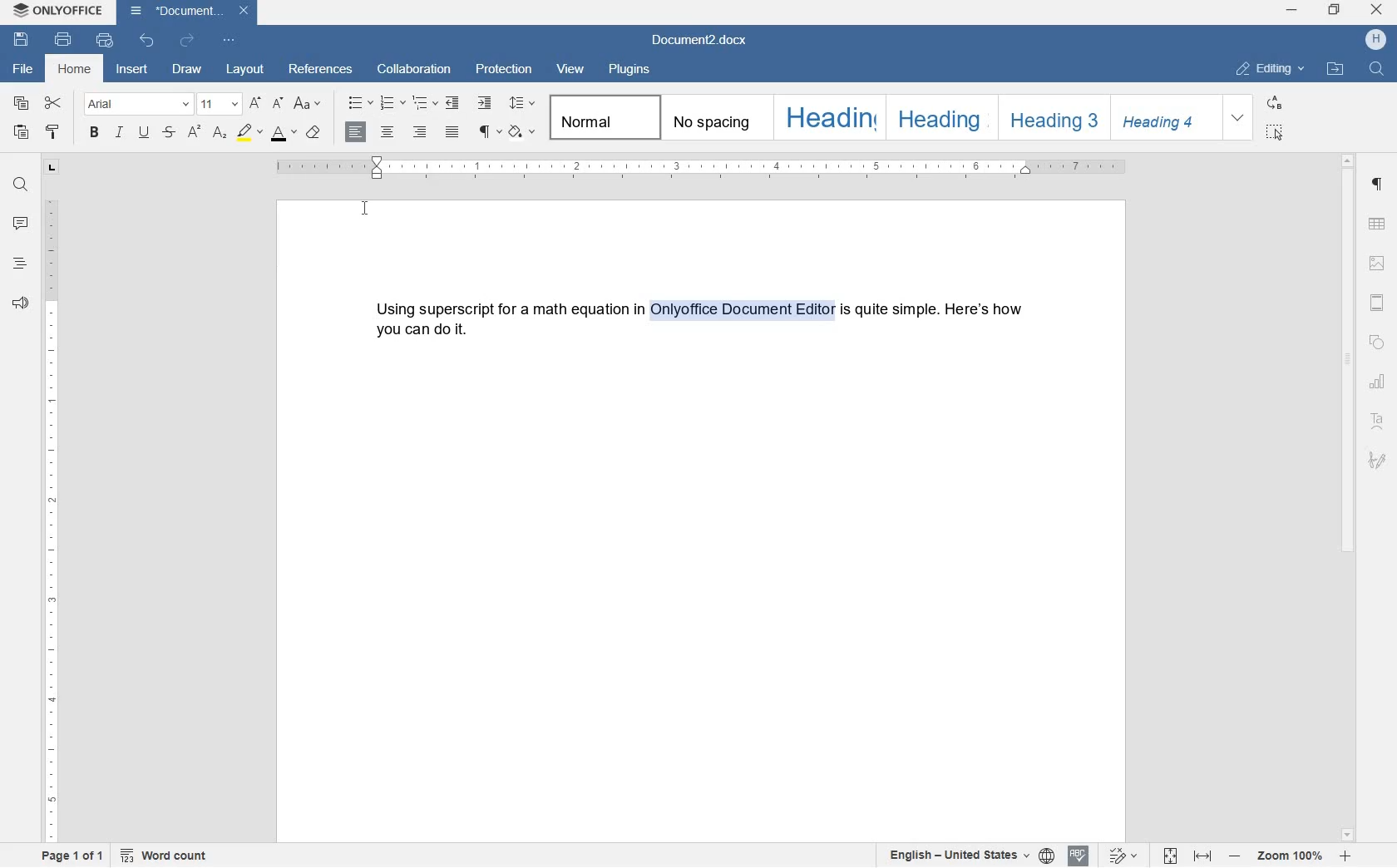 The image size is (1397, 868). Describe the element at coordinates (1376, 10) in the screenshot. I see `close` at that location.